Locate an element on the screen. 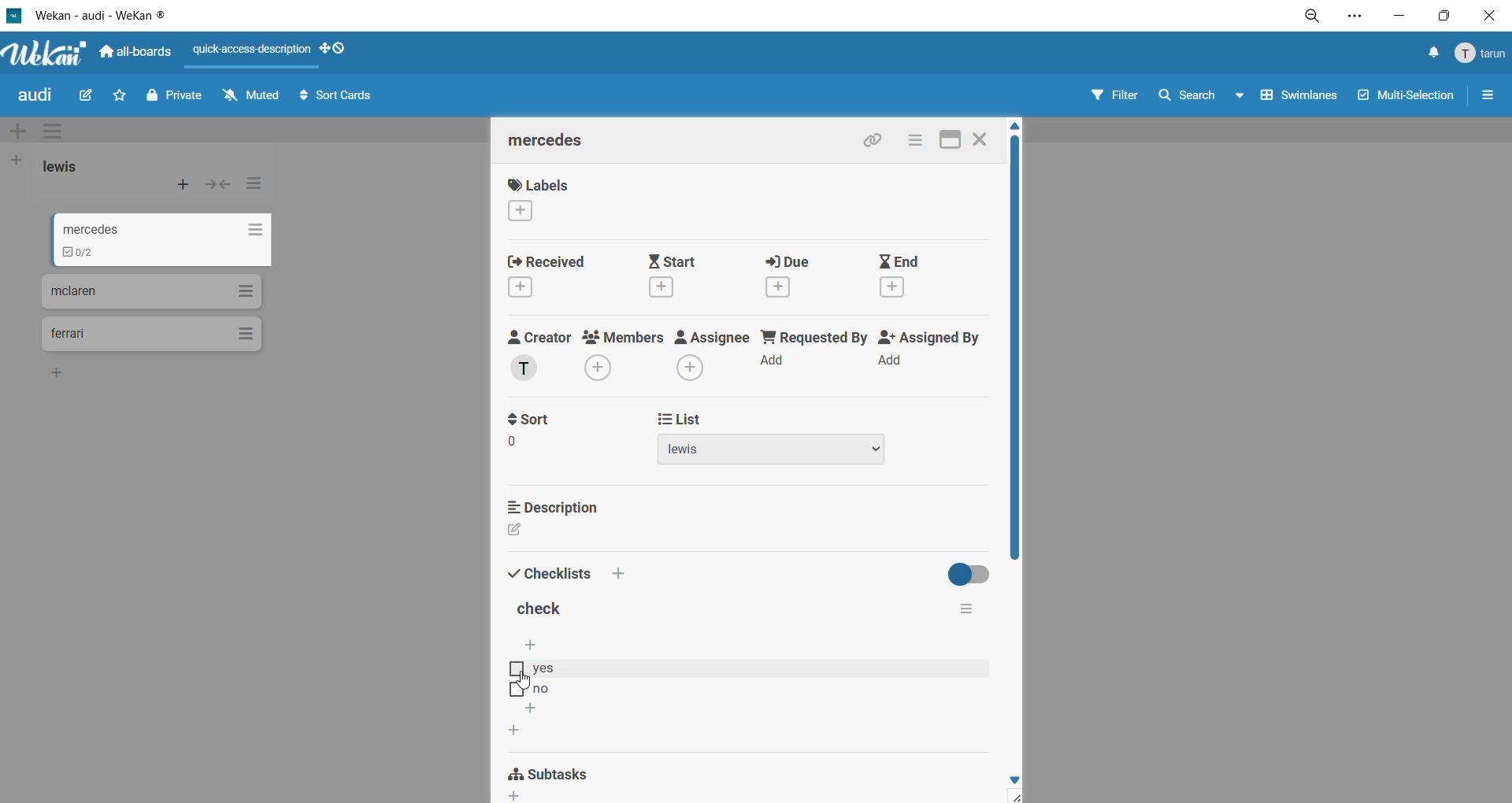 Image resolution: width=1512 pixels, height=803 pixels. card title is located at coordinates (557, 144).